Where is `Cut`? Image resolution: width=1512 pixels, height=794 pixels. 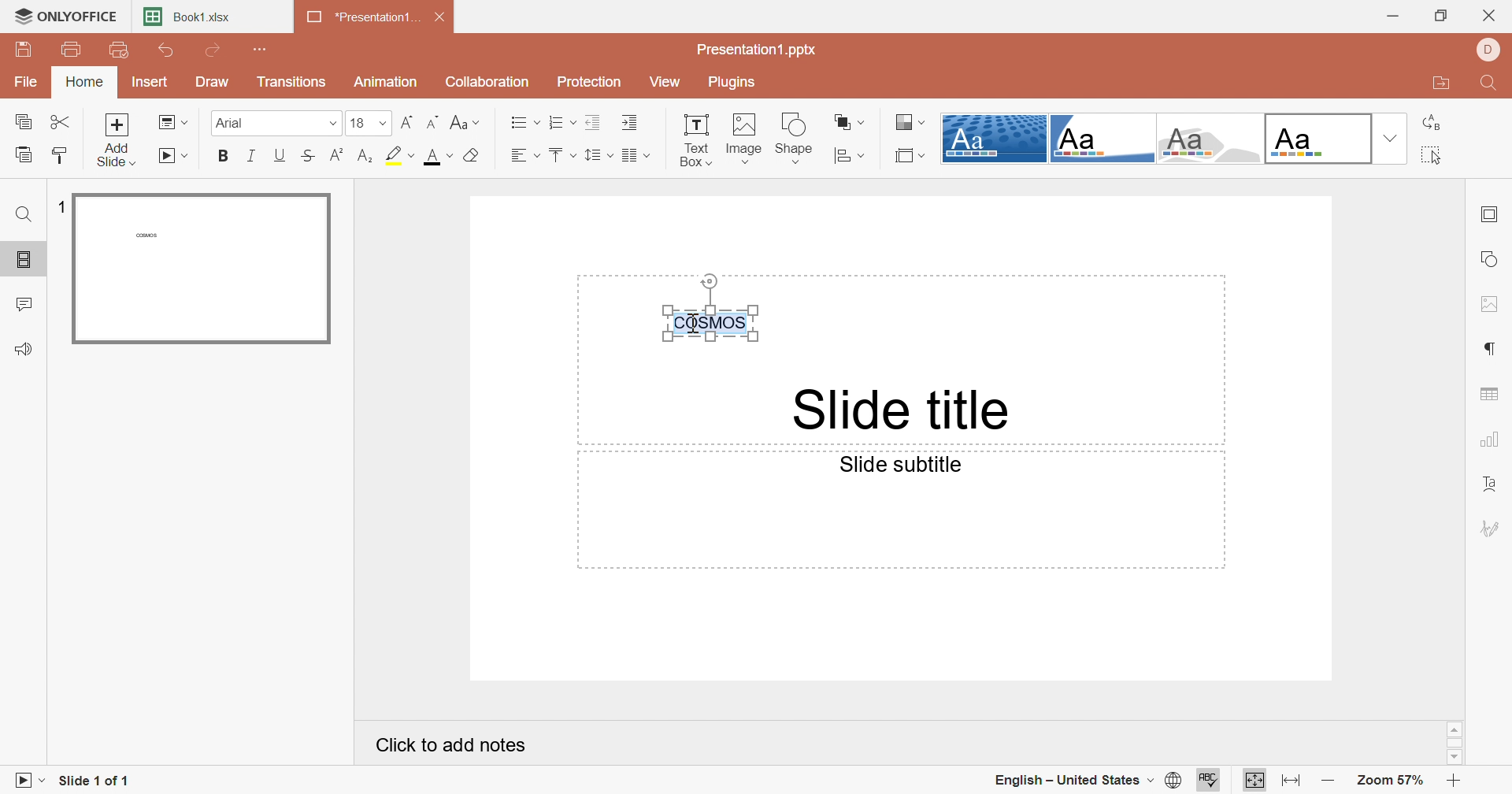 Cut is located at coordinates (55, 123).